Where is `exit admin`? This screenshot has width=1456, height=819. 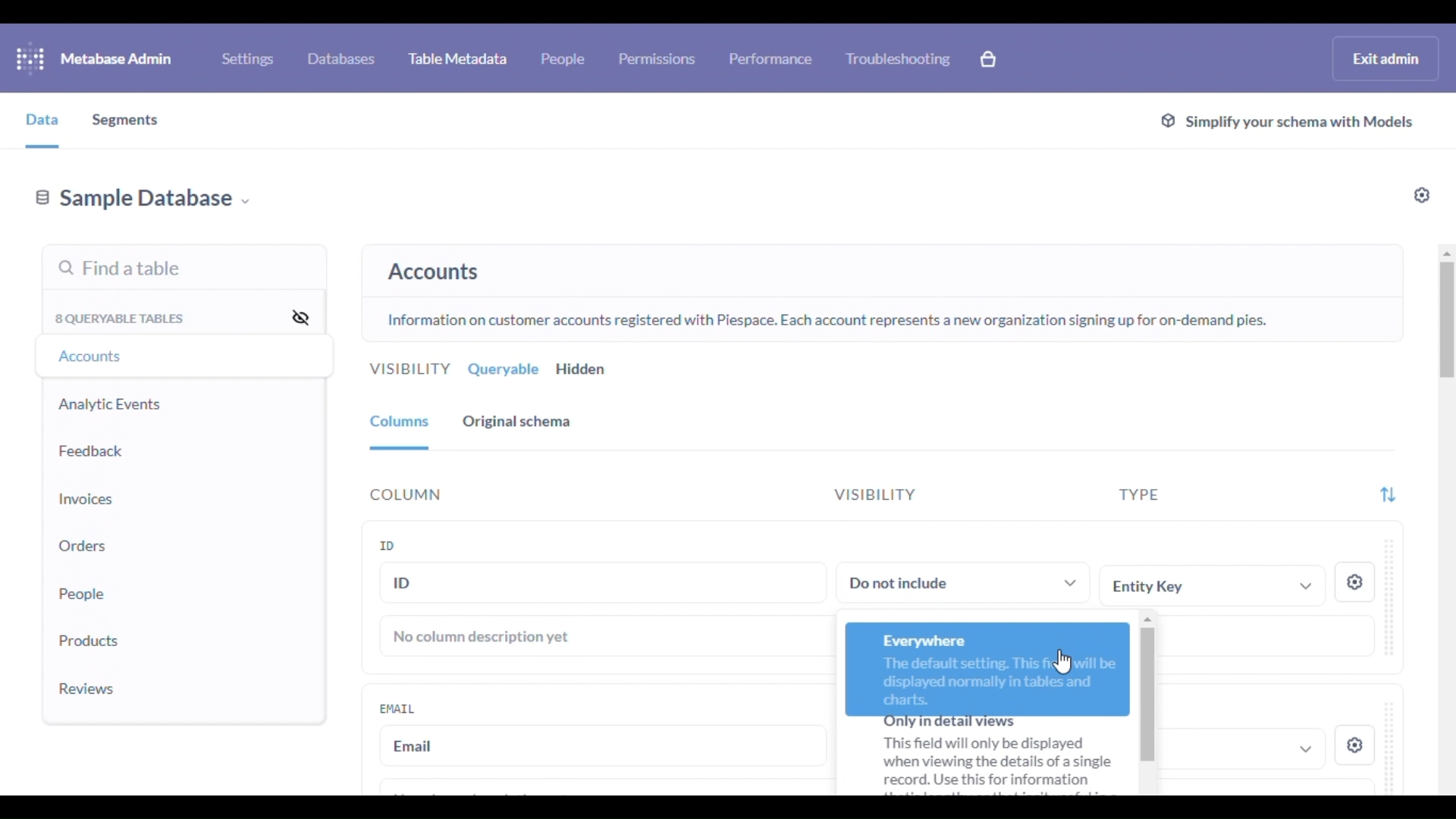
exit admin is located at coordinates (1386, 58).